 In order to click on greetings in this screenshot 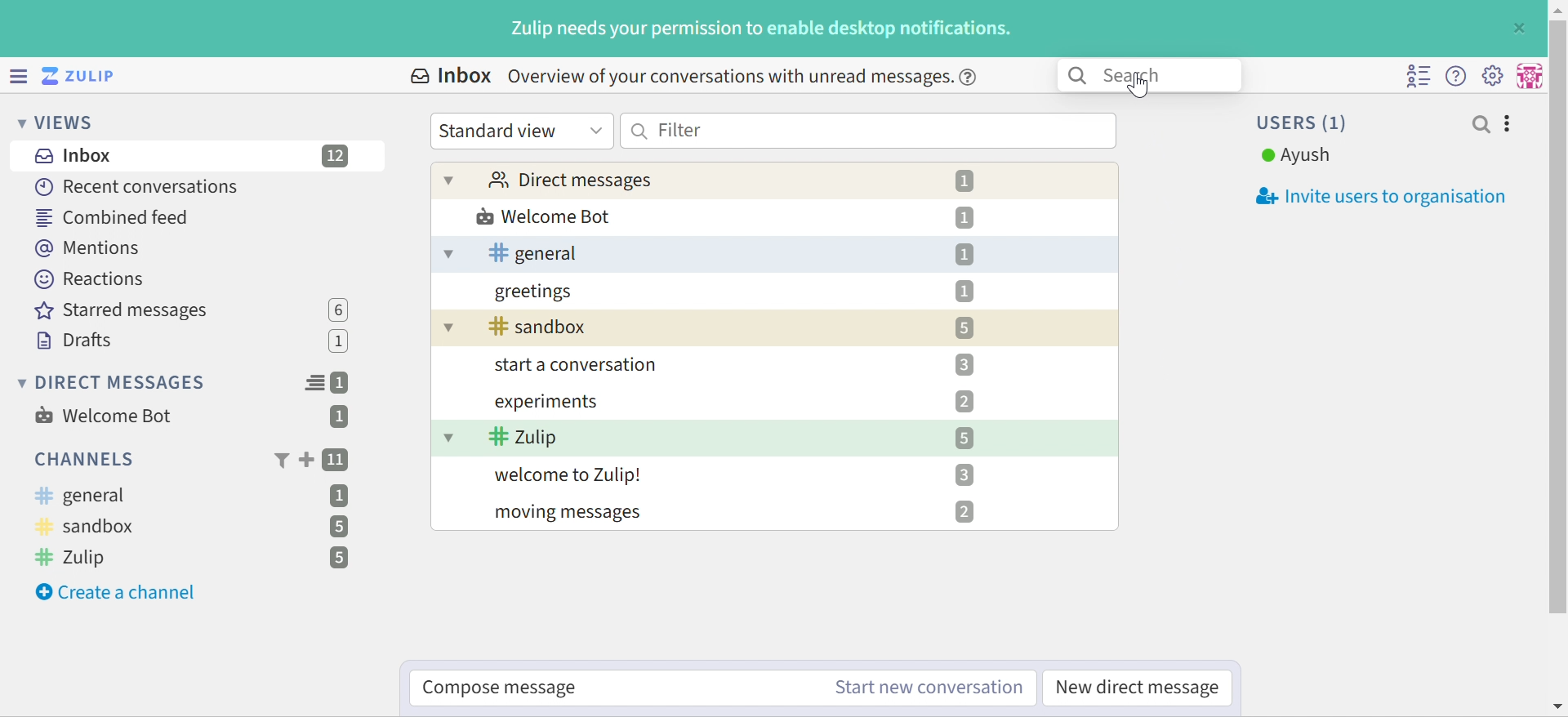, I will do `click(535, 292)`.